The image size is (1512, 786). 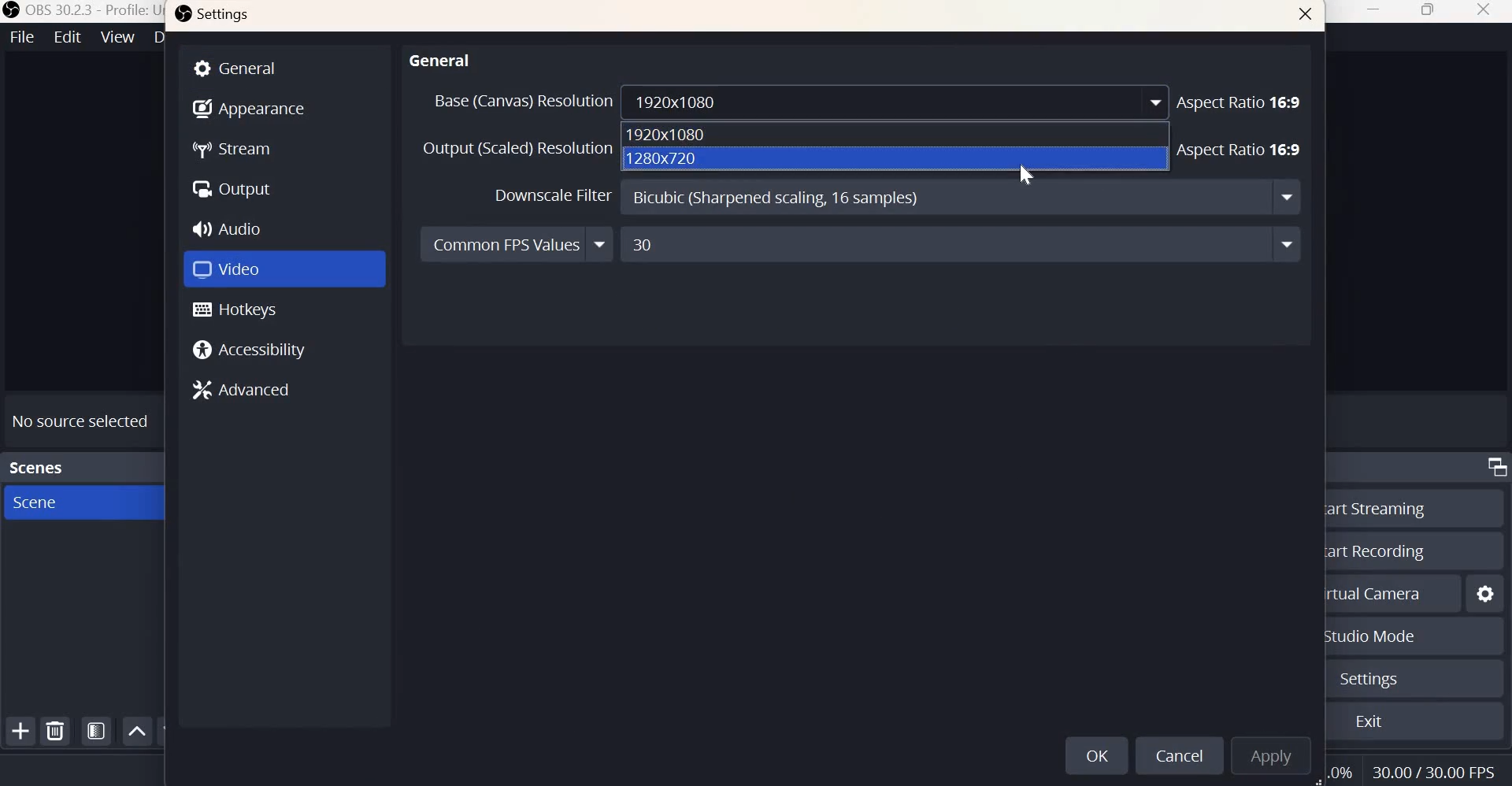 I want to click on Add scene, so click(x=21, y=732).